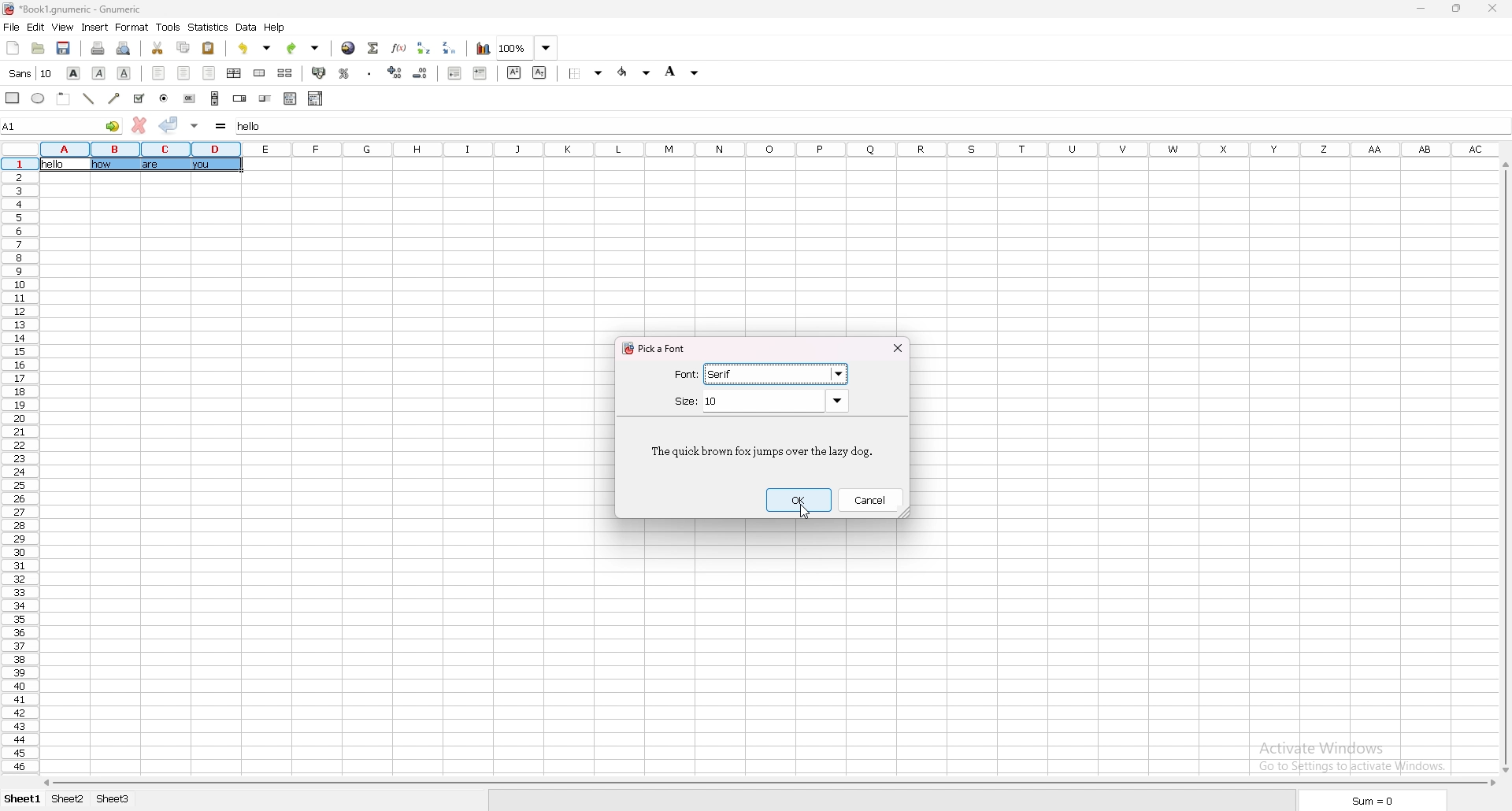  I want to click on decrease decimal, so click(421, 73).